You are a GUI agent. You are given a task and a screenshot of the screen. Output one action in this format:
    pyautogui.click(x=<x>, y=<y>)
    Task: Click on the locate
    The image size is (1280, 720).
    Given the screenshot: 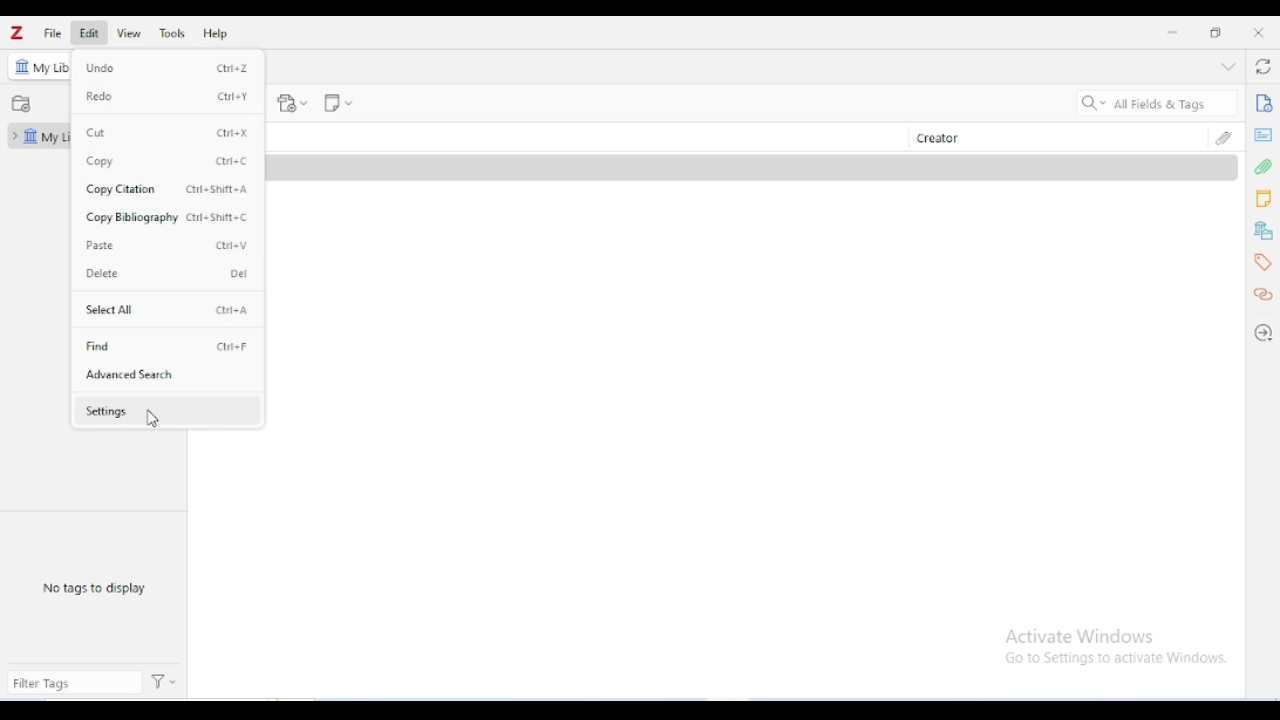 What is the action you would take?
    pyautogui.click(x=1264, y=333)
    